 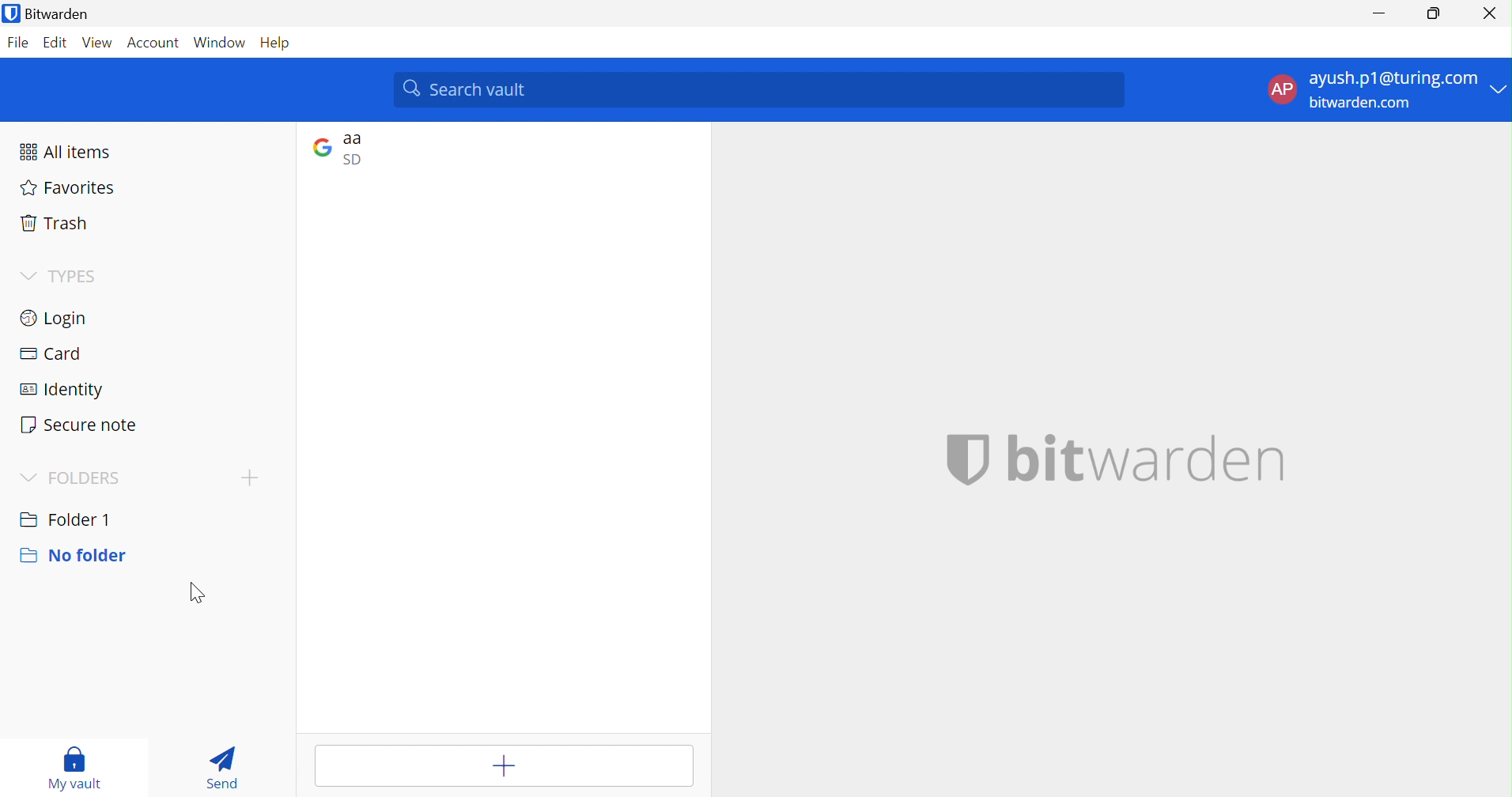 I want to click on Minimize, so click(x=1378, y=15).